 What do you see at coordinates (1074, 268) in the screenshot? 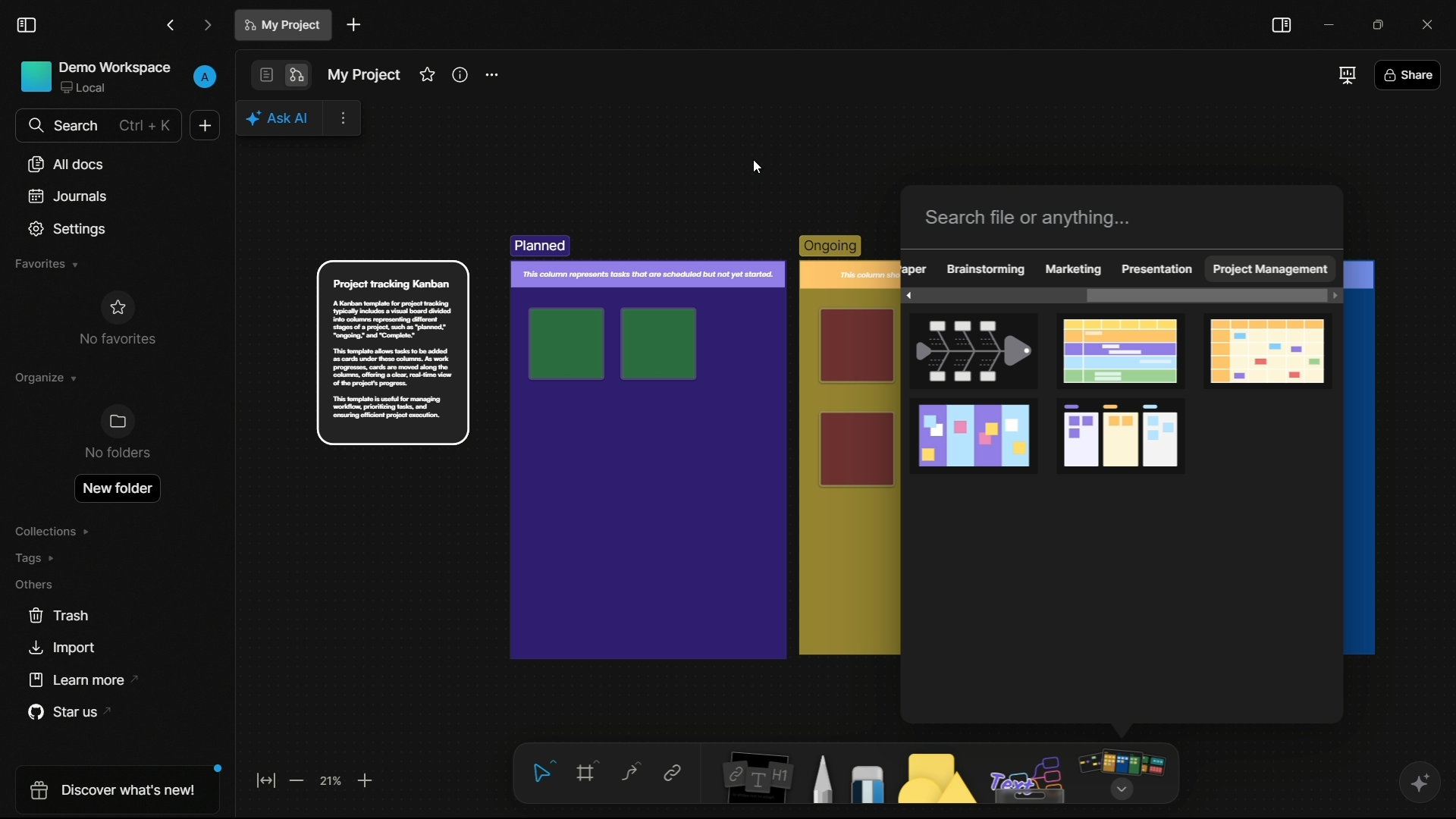
I see `marketing` at bounding box center [1074, 268].